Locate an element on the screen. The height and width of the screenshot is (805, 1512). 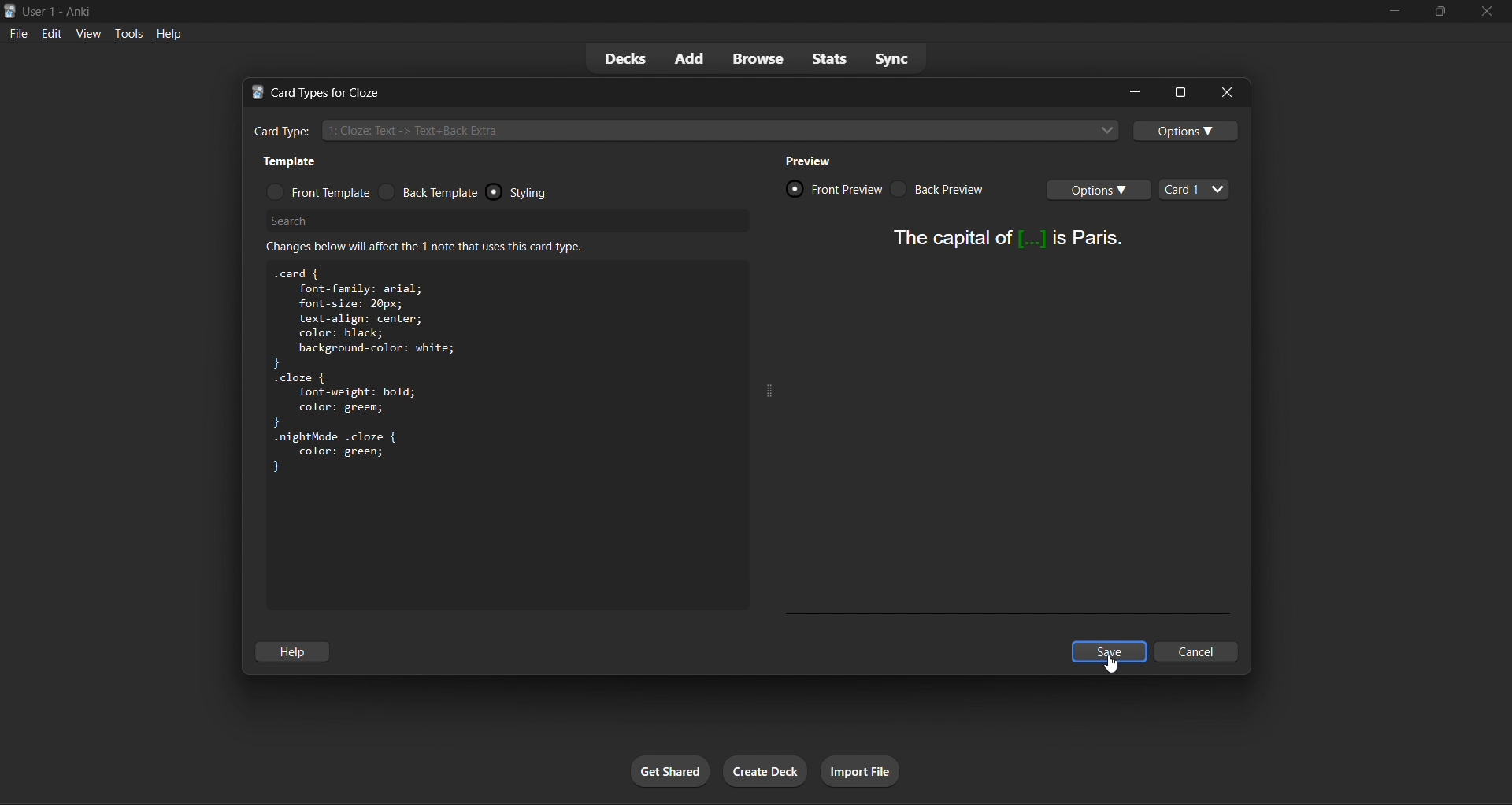
help is located at coordinates (173, 33).